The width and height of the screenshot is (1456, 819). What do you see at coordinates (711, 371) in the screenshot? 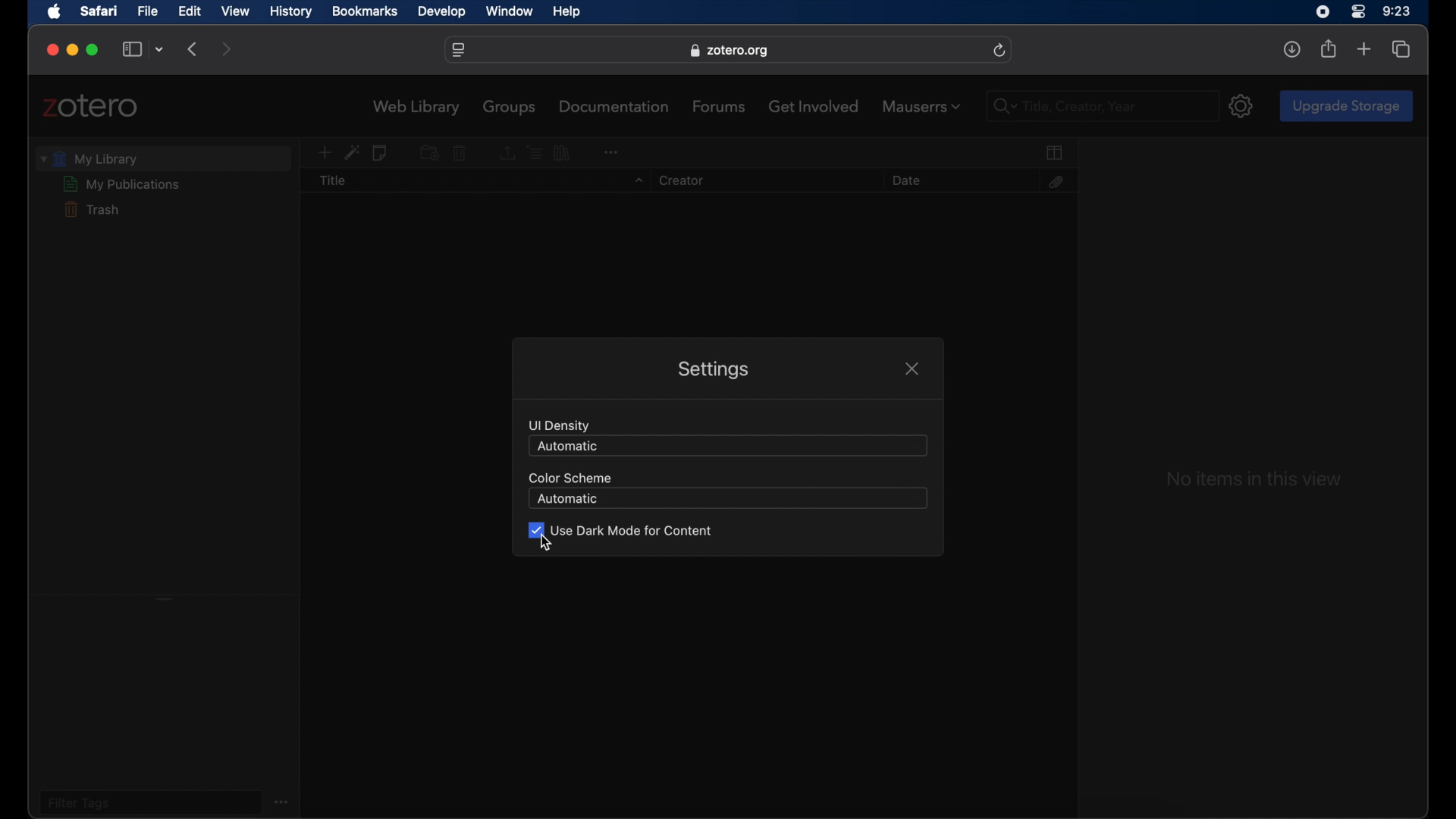
I see `settings` at bounding box center [711, 371].